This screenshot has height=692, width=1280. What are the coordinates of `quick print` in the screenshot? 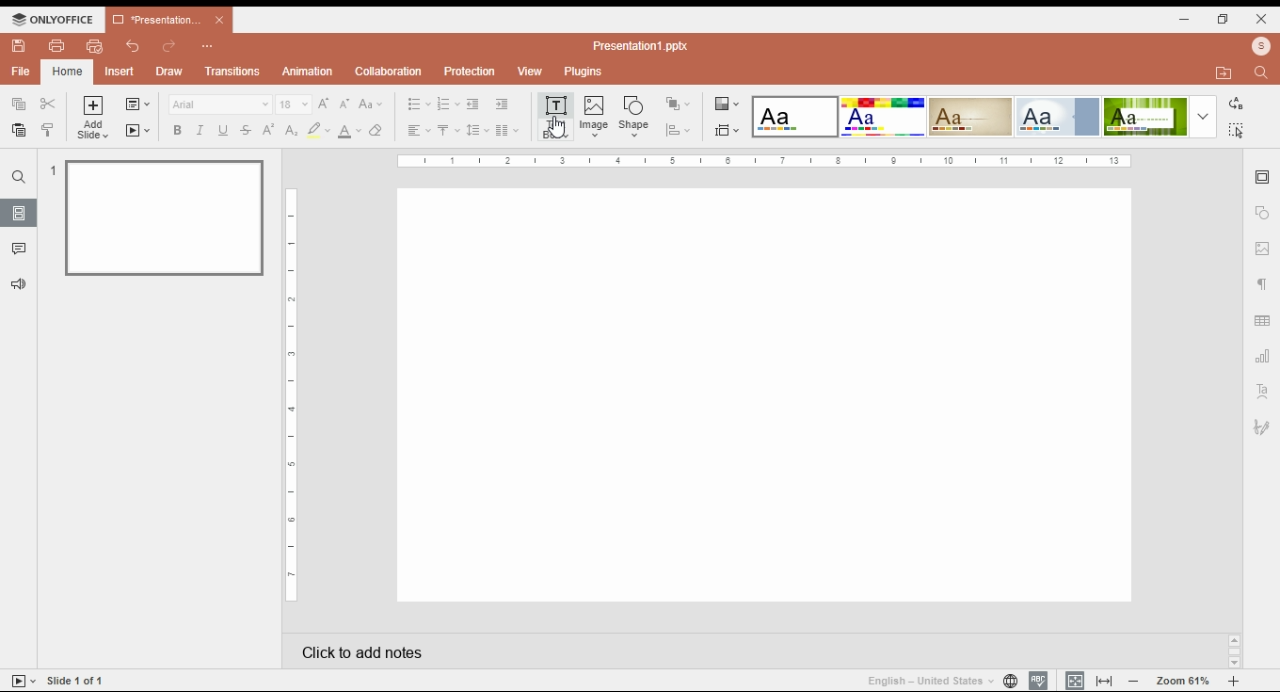 It's located at (95, 45).